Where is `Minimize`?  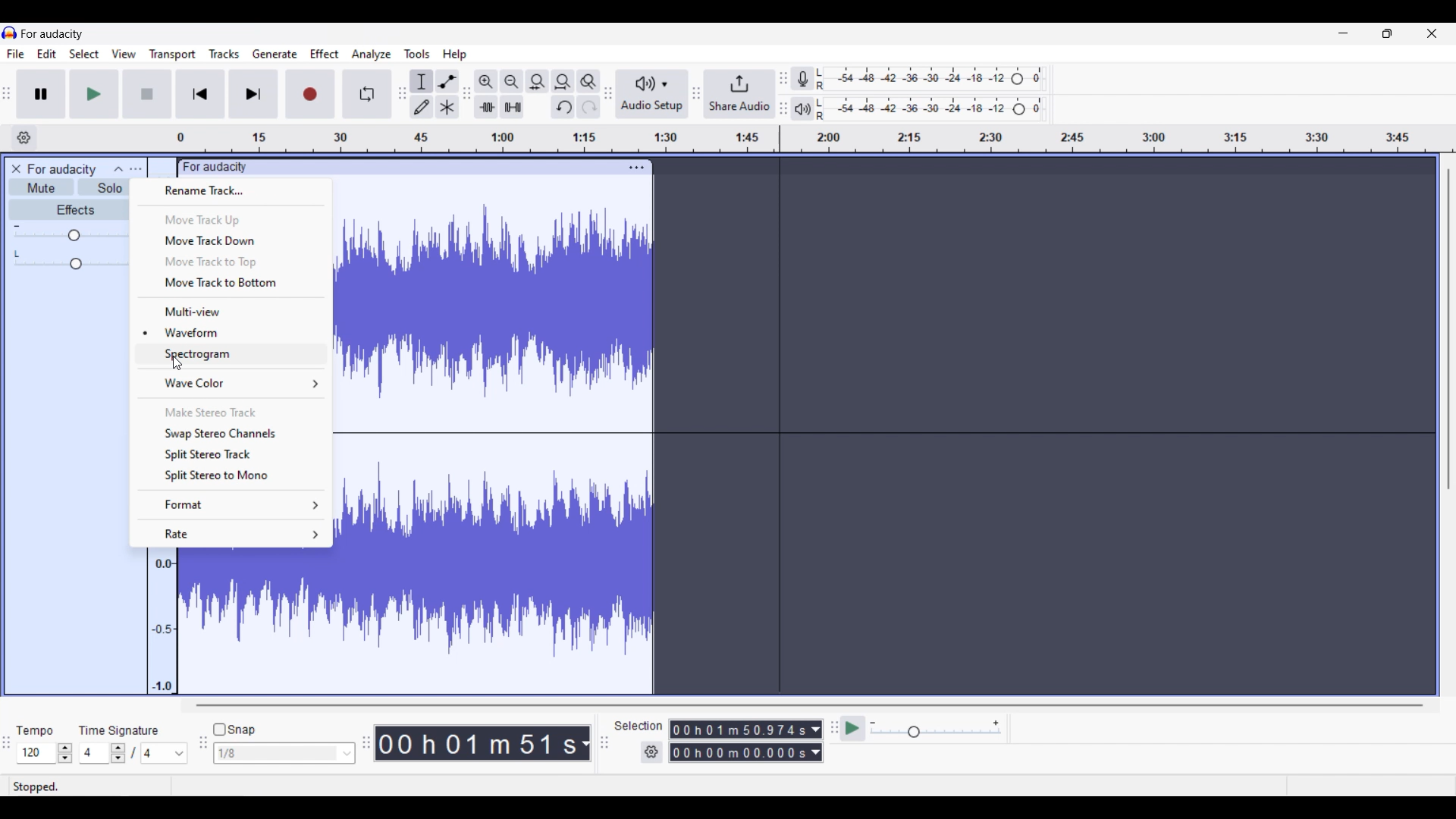
Minimize is located at coordinates (1344, 33).